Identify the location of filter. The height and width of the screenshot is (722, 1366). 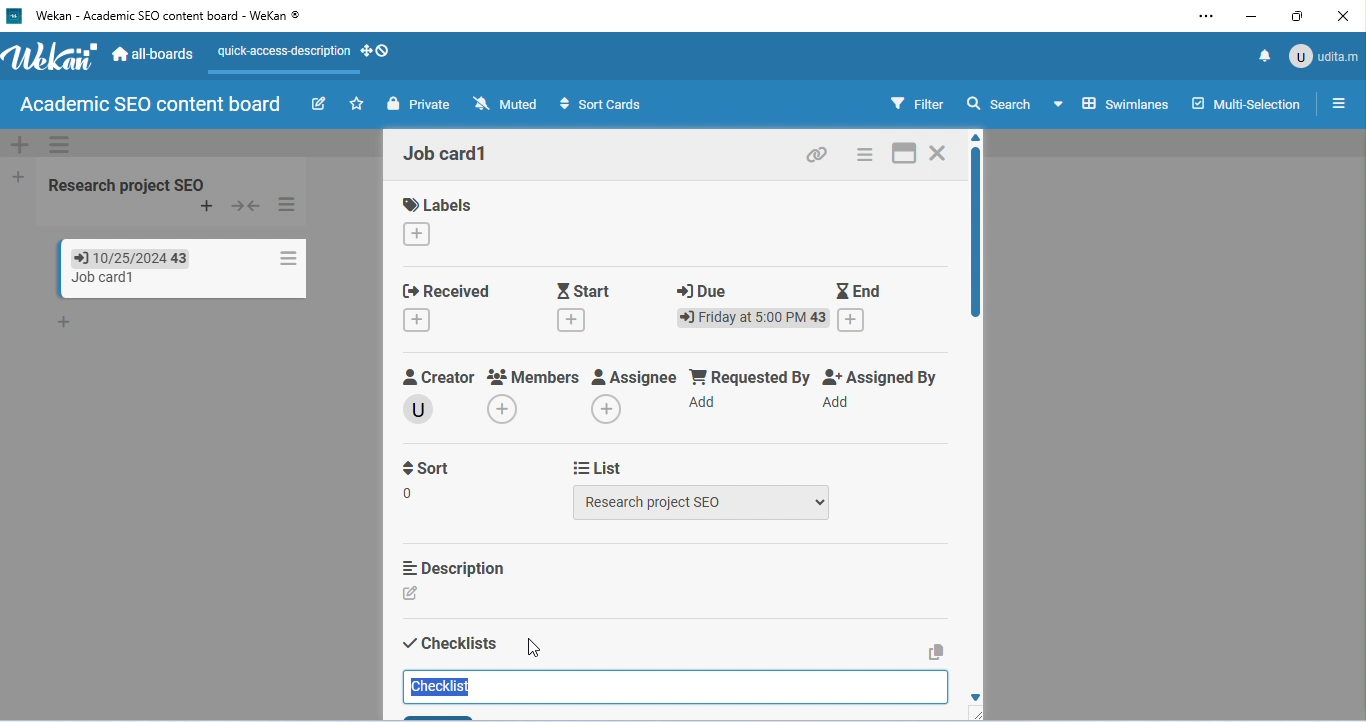
(917, 103).